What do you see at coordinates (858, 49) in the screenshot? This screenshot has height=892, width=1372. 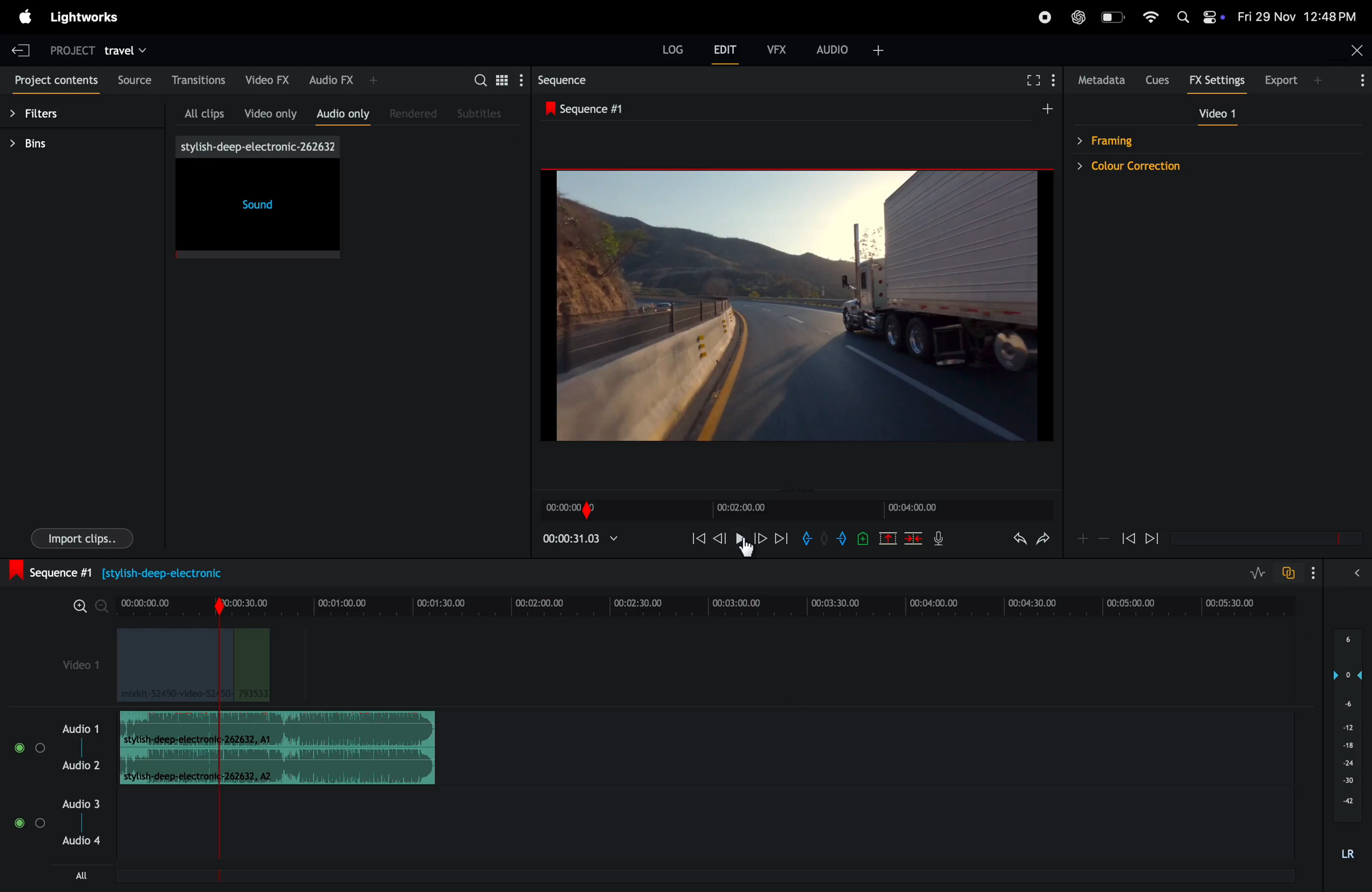 I see `audio` at bounding box center [858, 49].